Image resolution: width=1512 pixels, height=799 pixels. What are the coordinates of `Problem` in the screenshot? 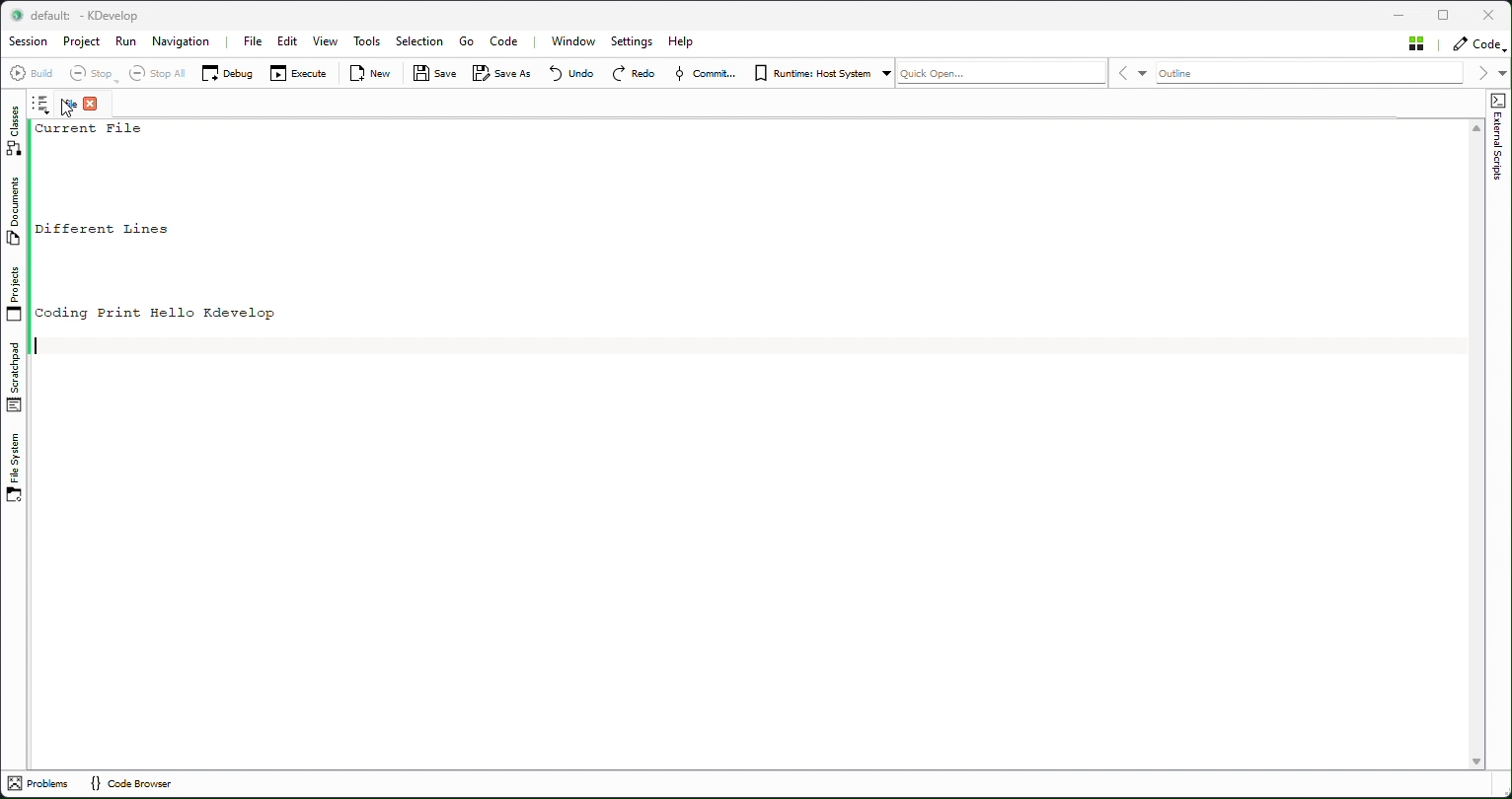 It's located at (42, 784).